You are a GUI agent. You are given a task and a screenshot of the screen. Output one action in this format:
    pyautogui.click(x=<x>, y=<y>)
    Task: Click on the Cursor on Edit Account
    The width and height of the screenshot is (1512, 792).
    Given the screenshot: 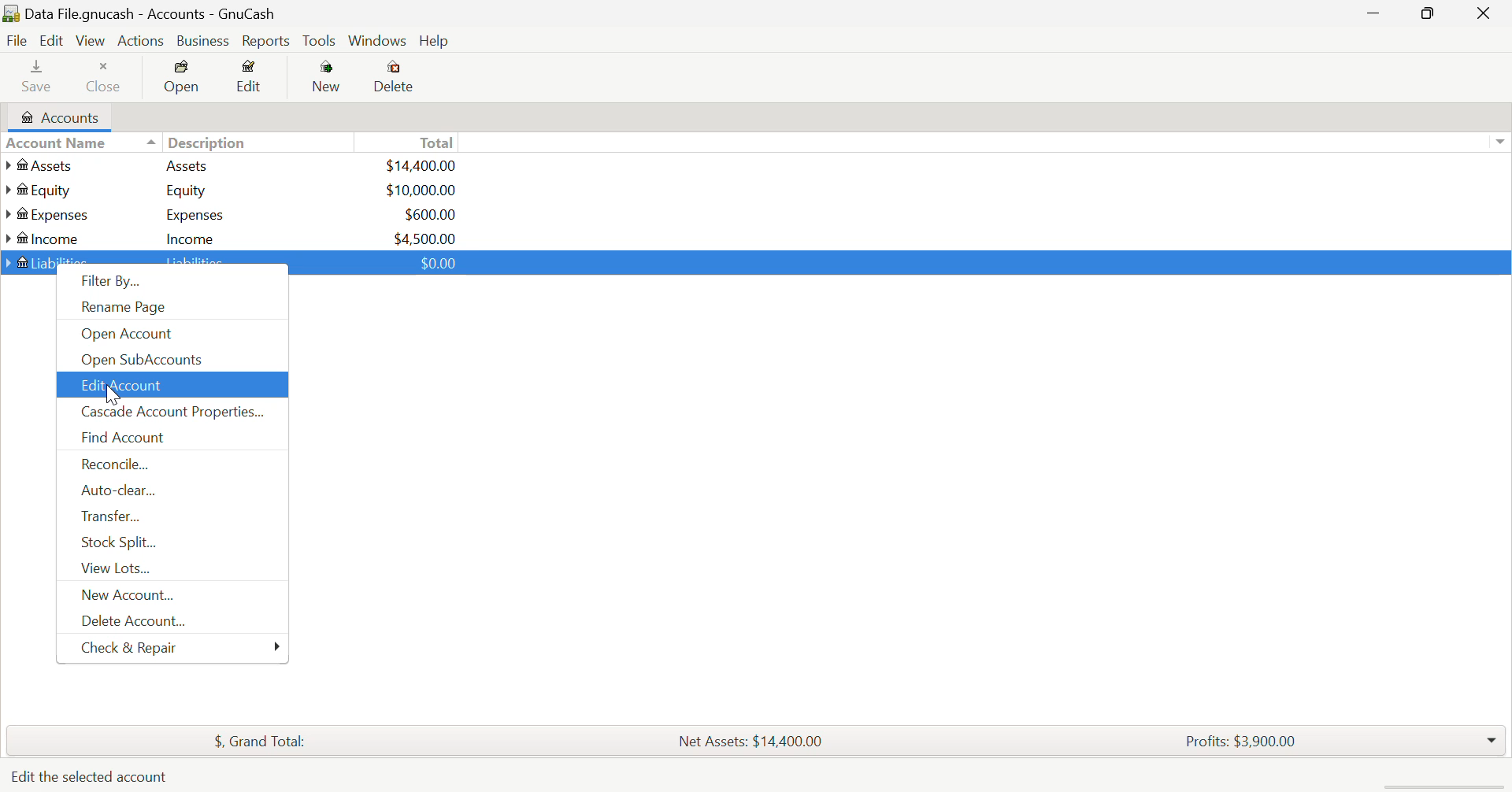 What is the action you would take?
    pyautogui.click(x=109, y=391)
    